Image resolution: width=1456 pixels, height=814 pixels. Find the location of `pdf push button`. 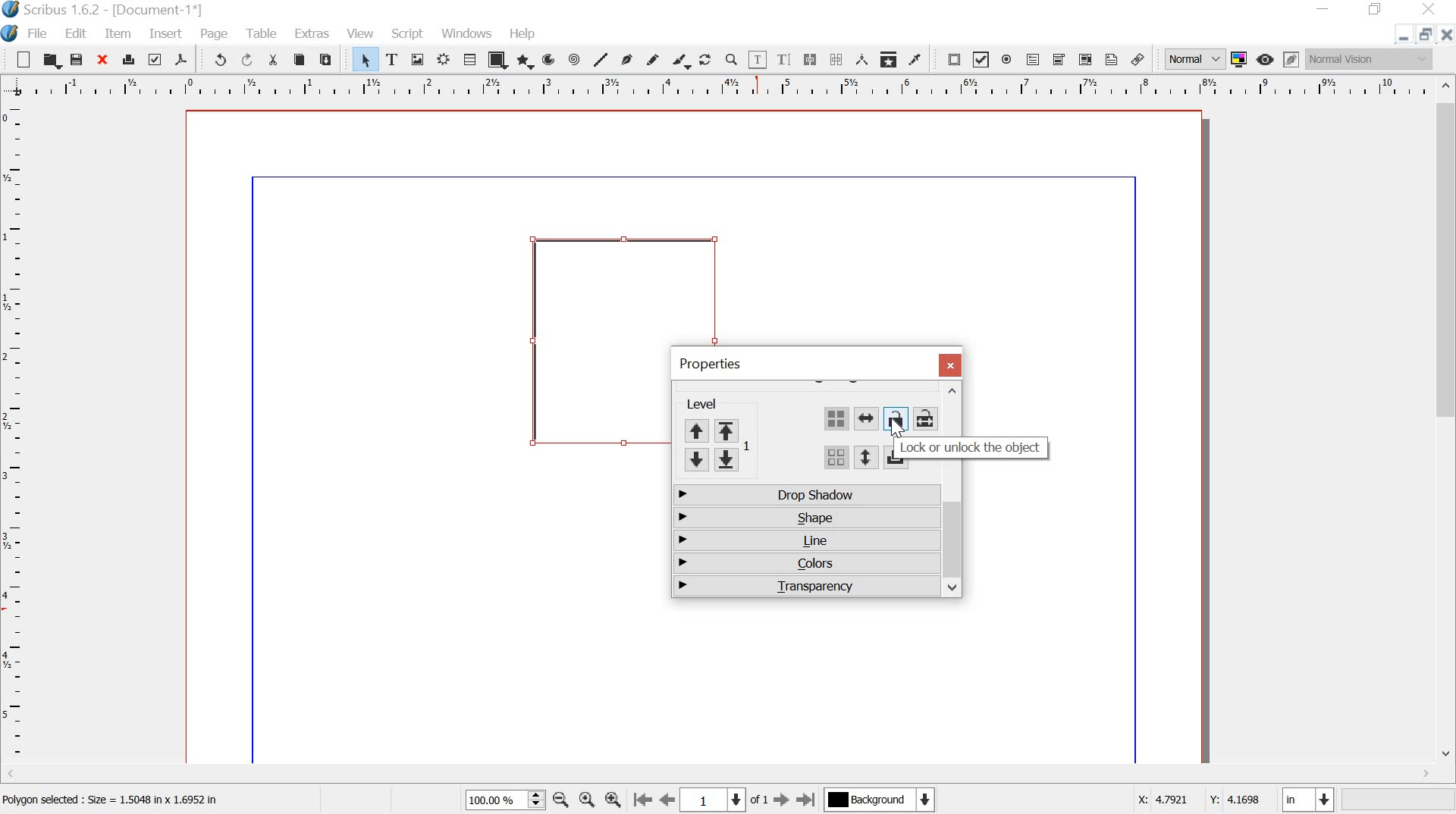

pdf push button is located at coordinates (949, 61).